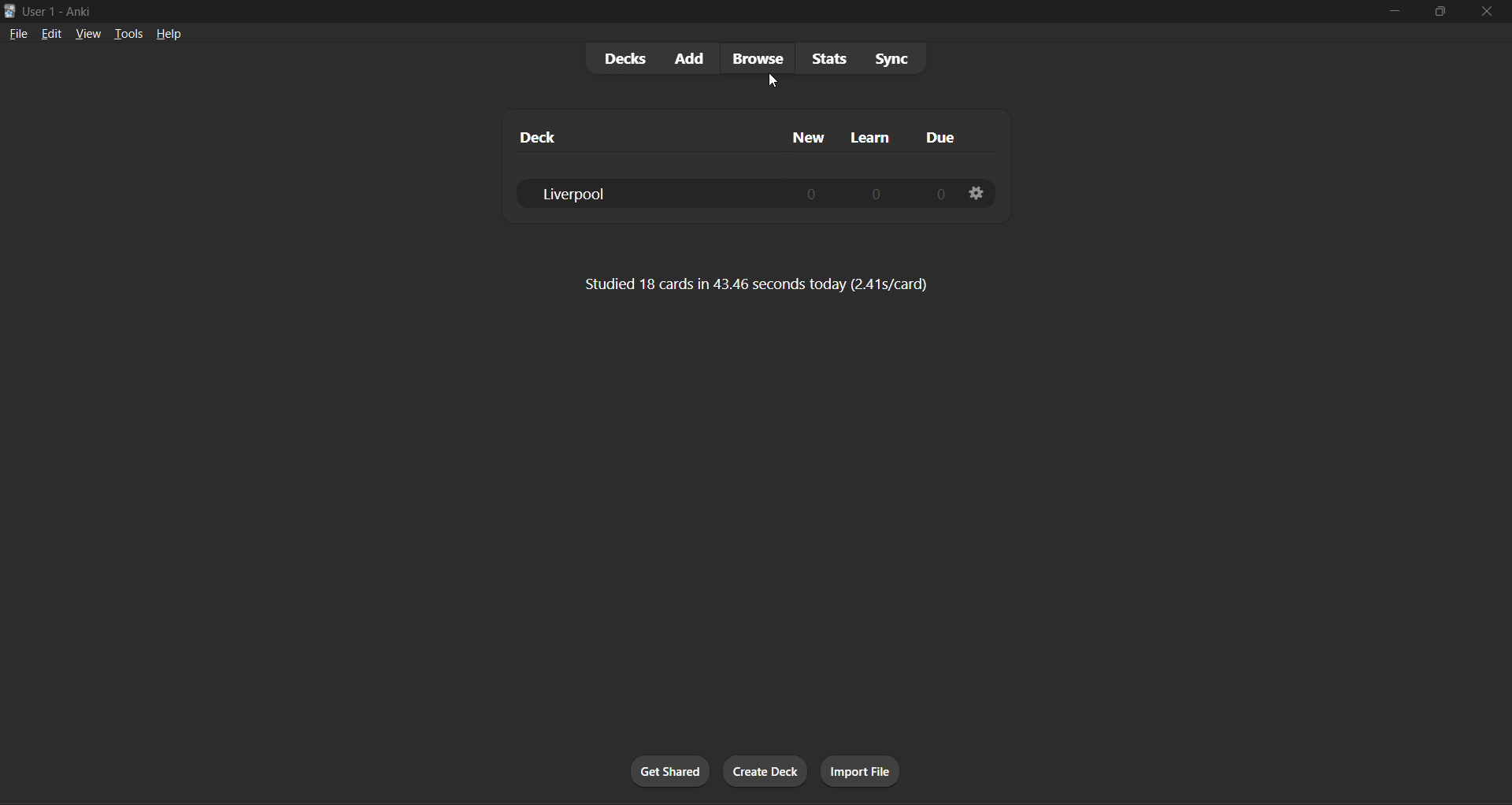 The height and width of the screenshot is (805, 1512). I want to click on view, so click(88, 35).